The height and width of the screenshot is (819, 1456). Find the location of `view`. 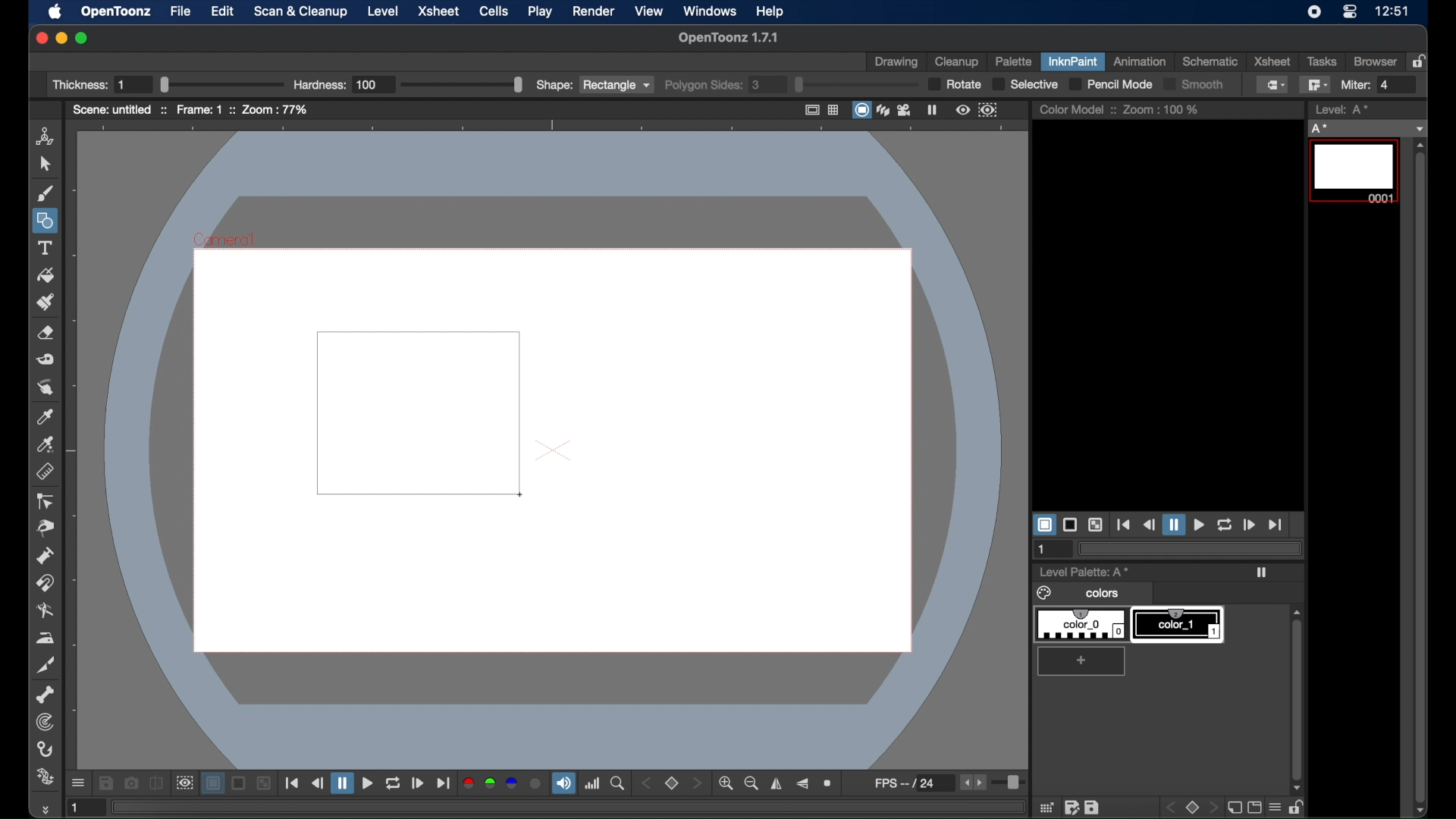

view is located at coordinates (650, 11).